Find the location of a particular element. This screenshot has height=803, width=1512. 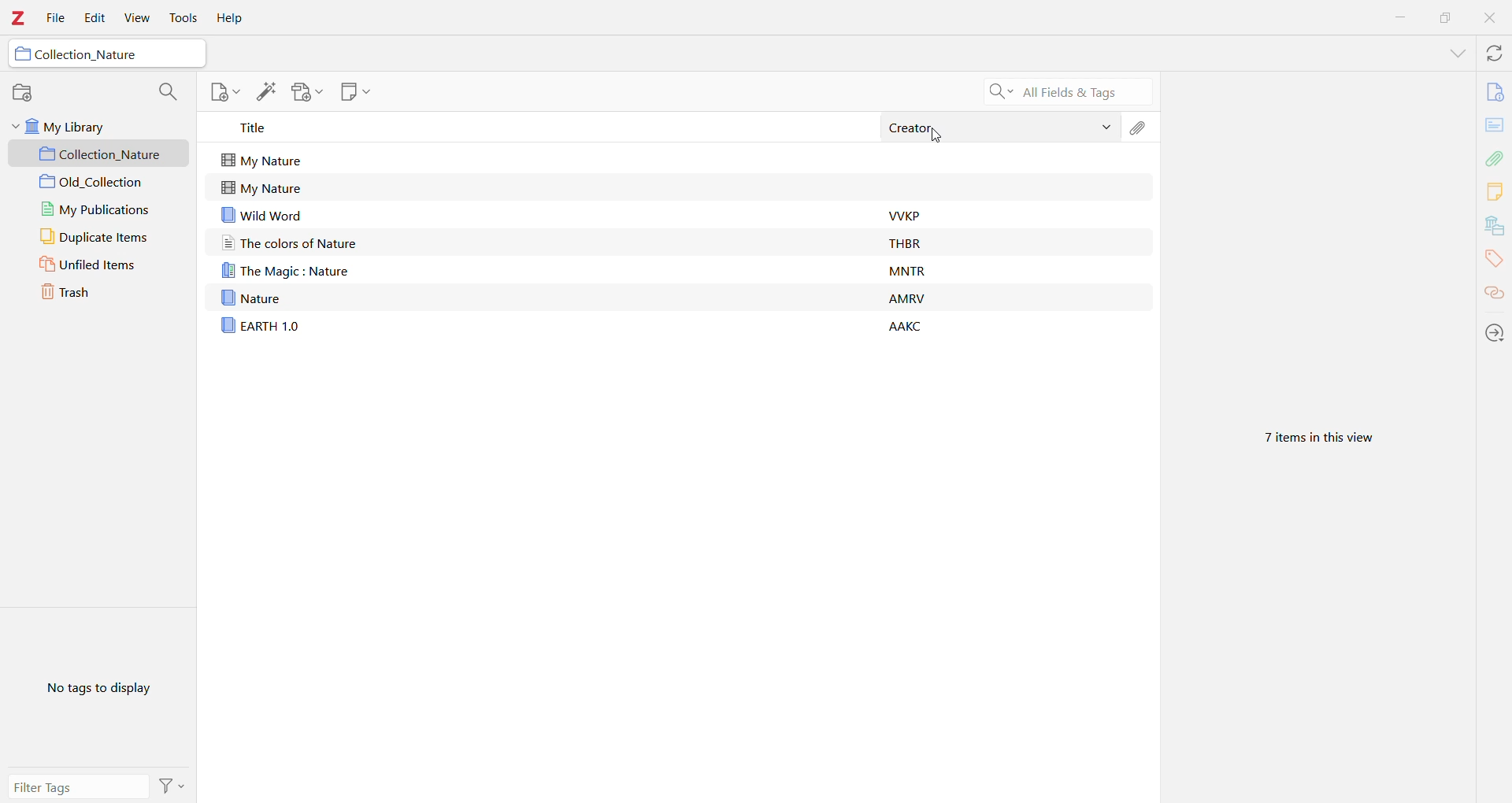

The color of Nature is located at coordinates (343, 242).